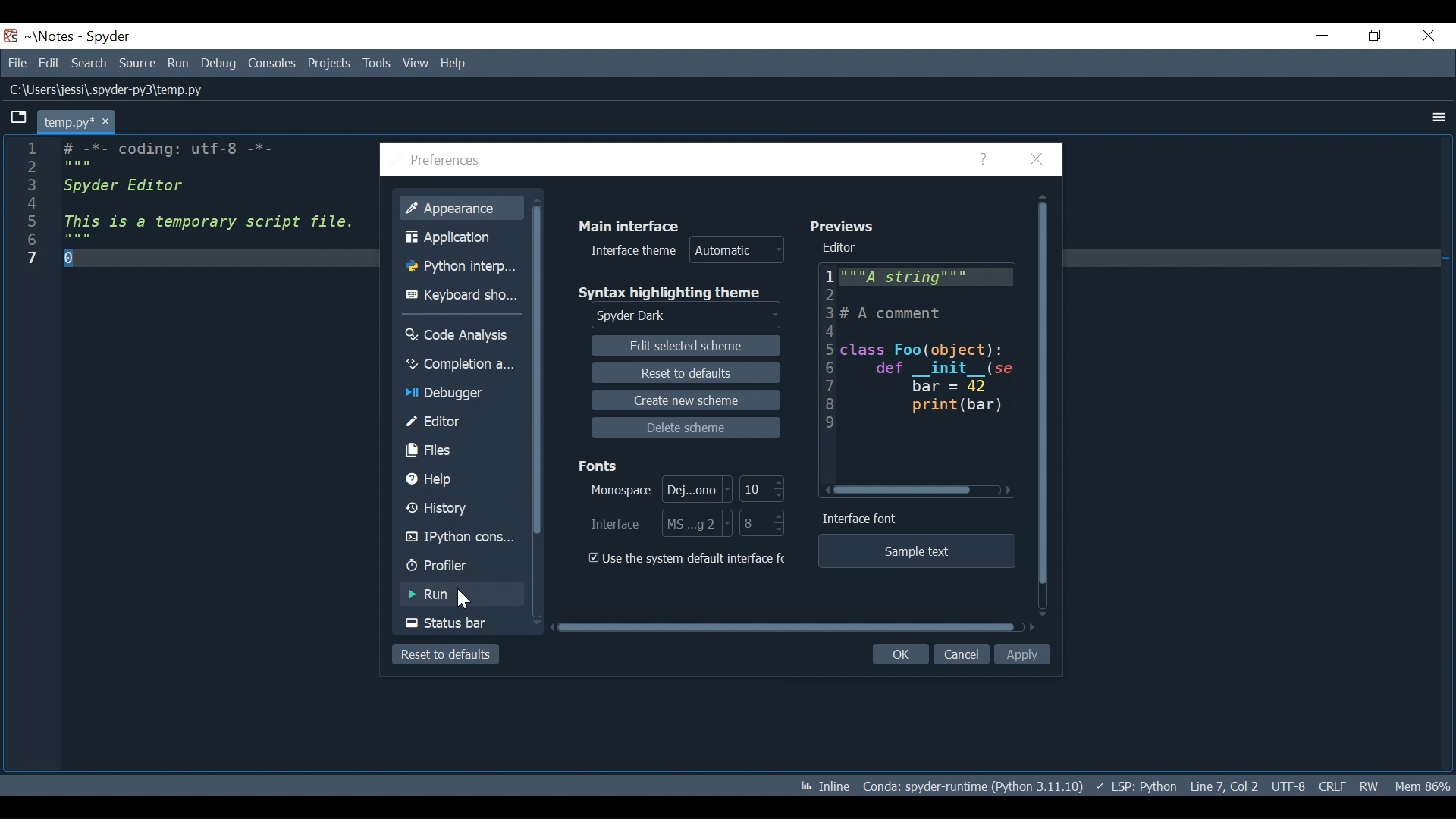  Describe the element at coordinates (760, 488) in the screenshot. I see `Select Monospace Font Size` at that location.